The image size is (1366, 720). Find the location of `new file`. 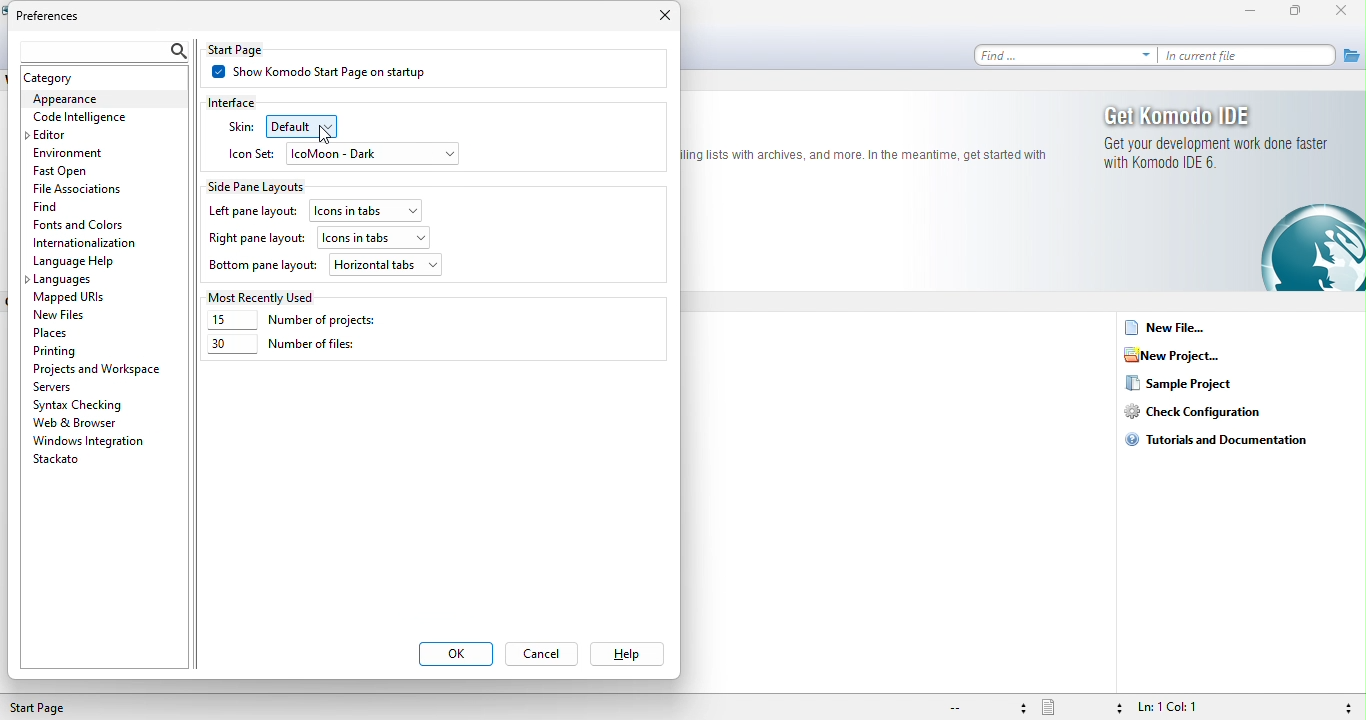

new file is located at coordinates (1169, 330).